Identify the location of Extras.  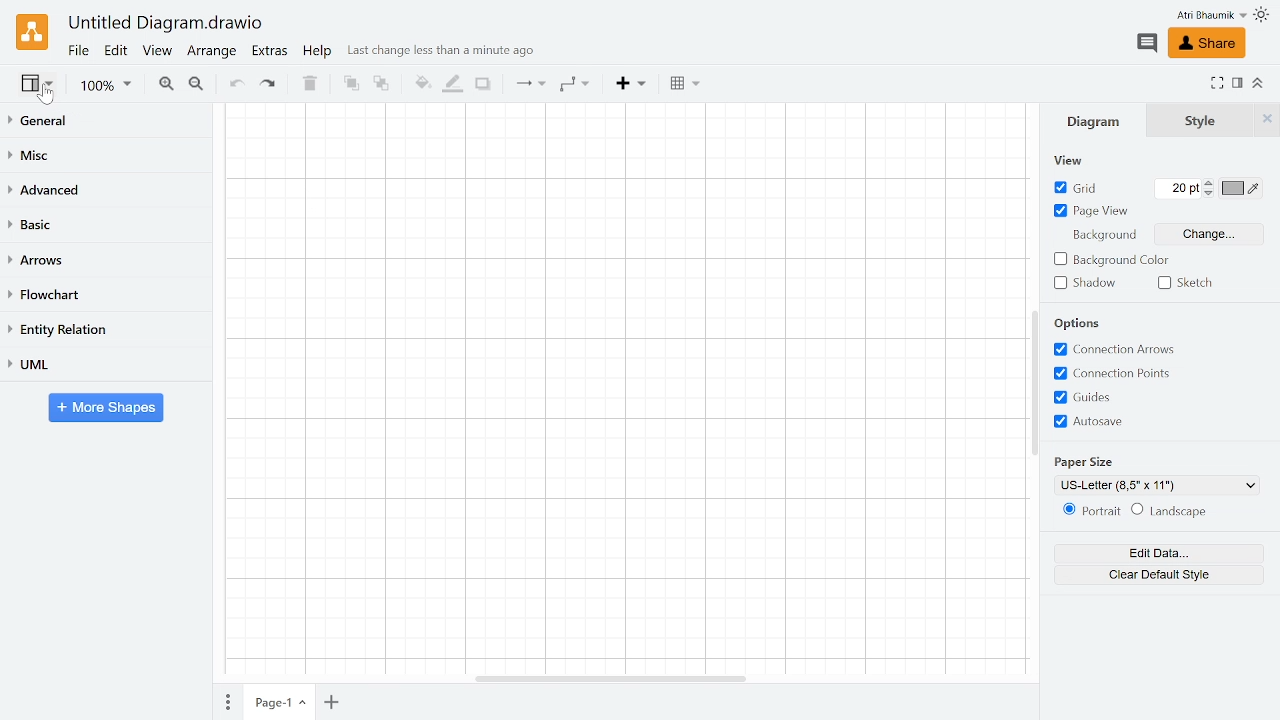
(271, 52).